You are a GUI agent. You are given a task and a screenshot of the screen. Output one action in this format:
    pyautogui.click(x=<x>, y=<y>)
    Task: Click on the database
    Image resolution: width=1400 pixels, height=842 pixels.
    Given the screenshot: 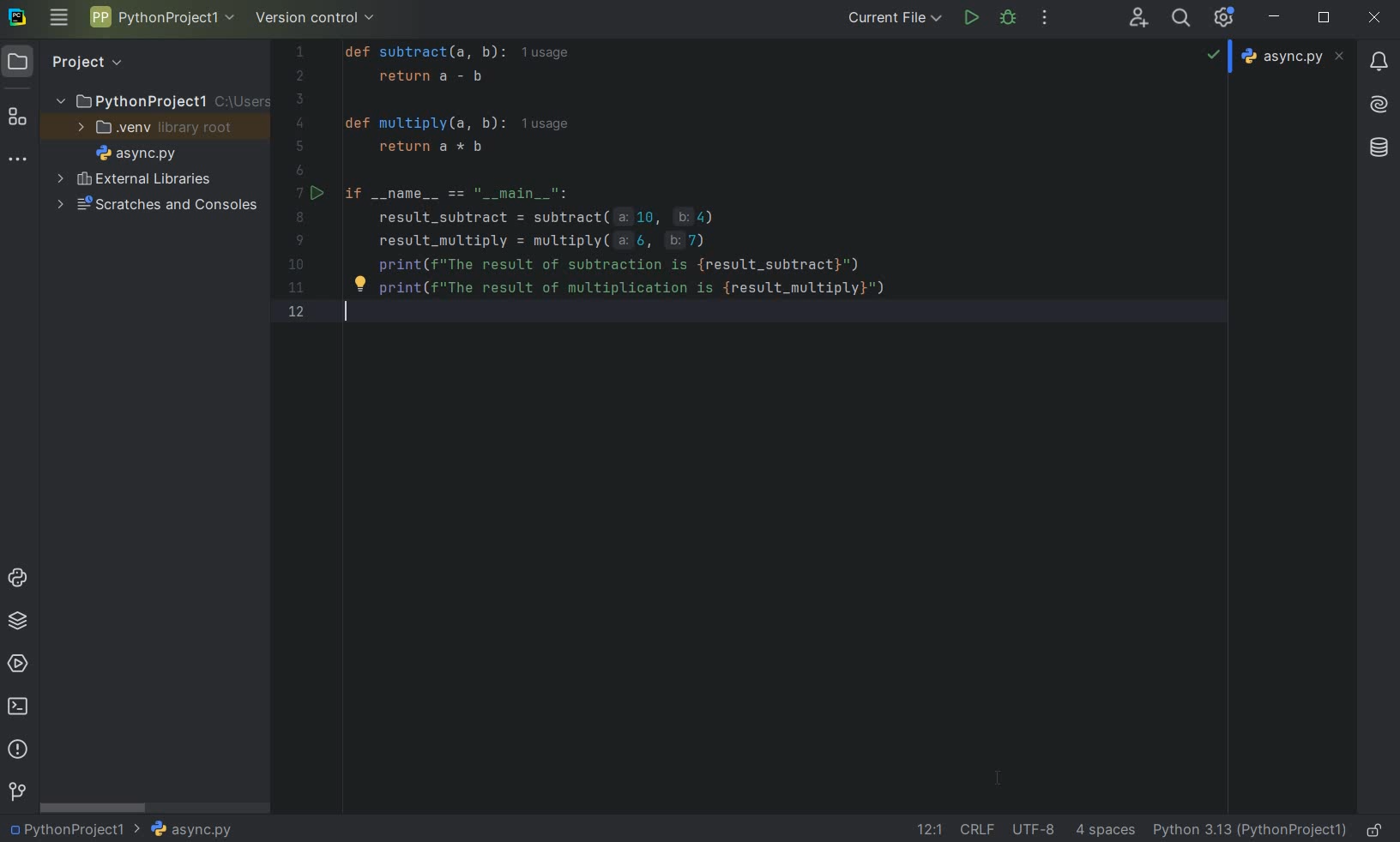 What is the action you would take?
    pyautogui.click(x=1381, y=145)
    